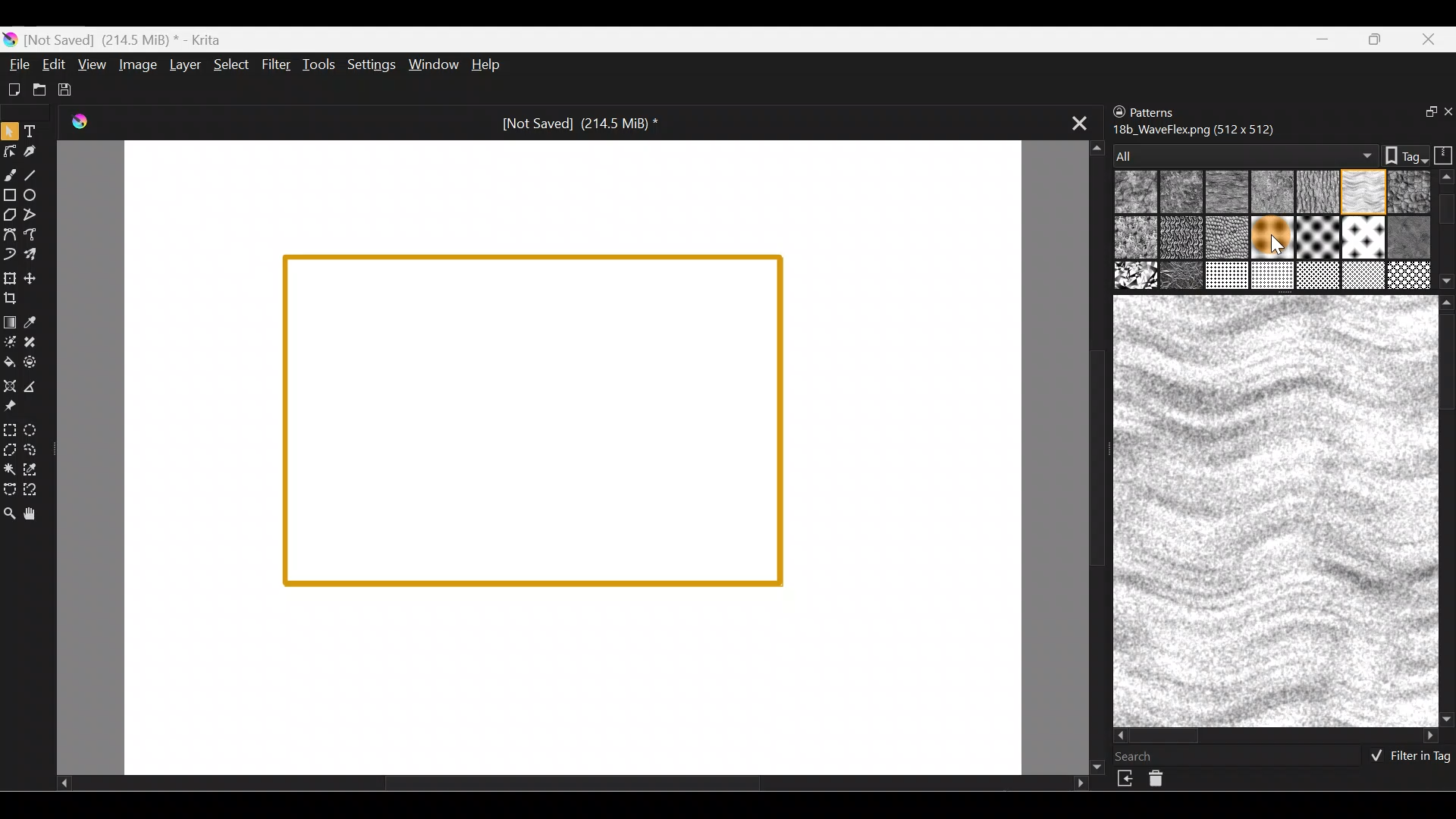 The height and width of the screenshot is (819, 1456). What do you see at coordinates (92, 63) in the screenshot?
I see `View` at bounding box center [92, 63].